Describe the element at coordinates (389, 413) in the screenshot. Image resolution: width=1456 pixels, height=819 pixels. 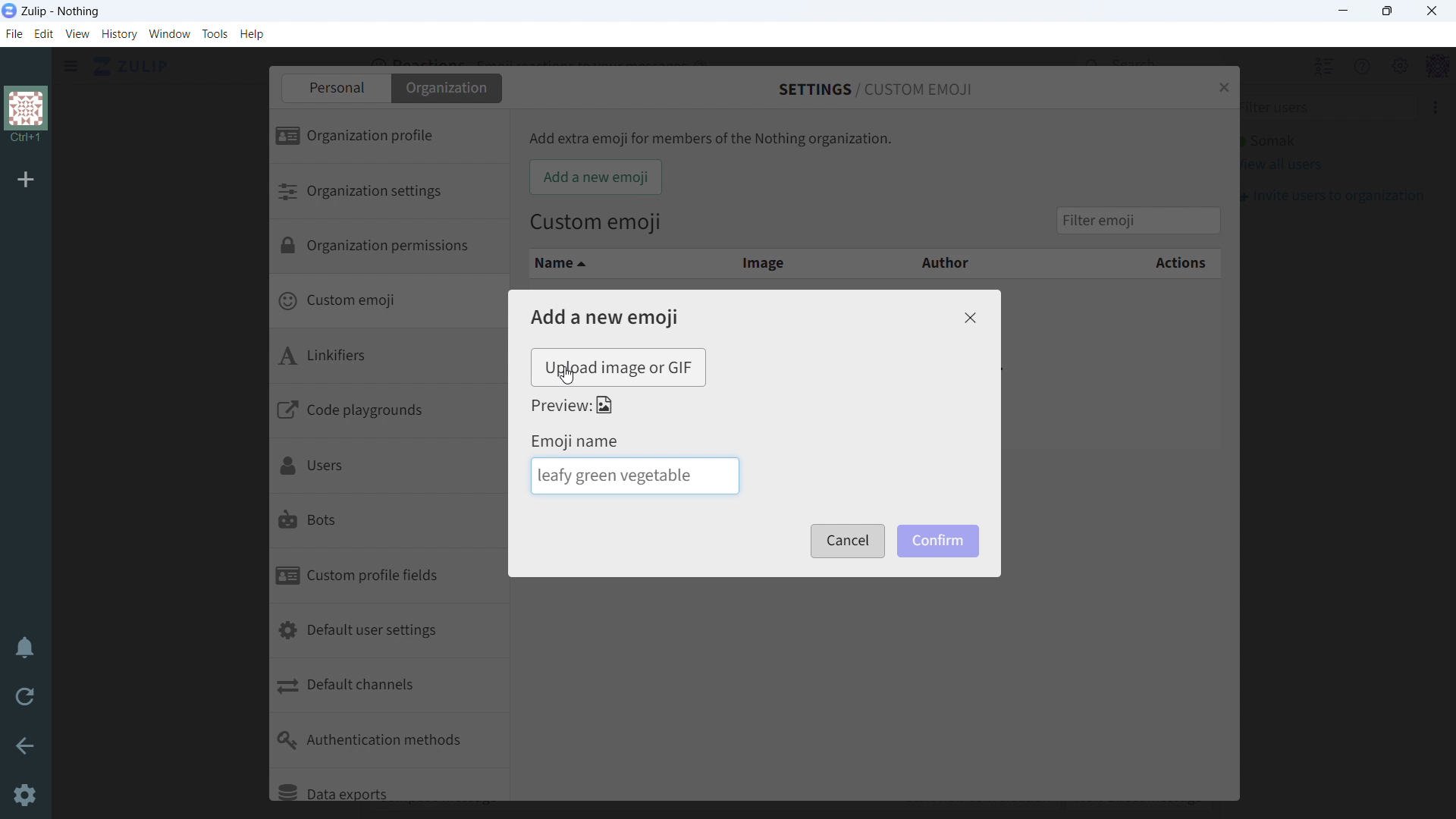
I see `code playgrounds` at that location.